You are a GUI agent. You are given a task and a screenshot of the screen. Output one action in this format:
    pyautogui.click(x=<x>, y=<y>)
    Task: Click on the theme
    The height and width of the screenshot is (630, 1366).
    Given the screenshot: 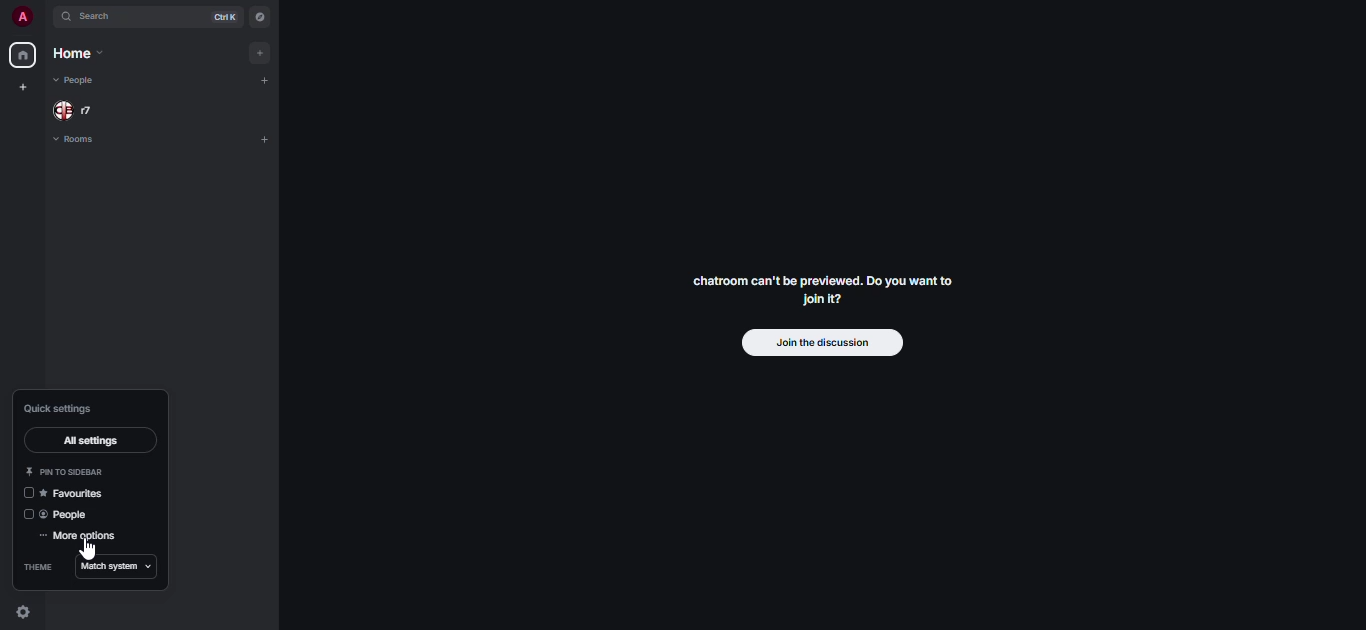 What is the action you would take?
    pyautogui.click(x=39, y=566)
    